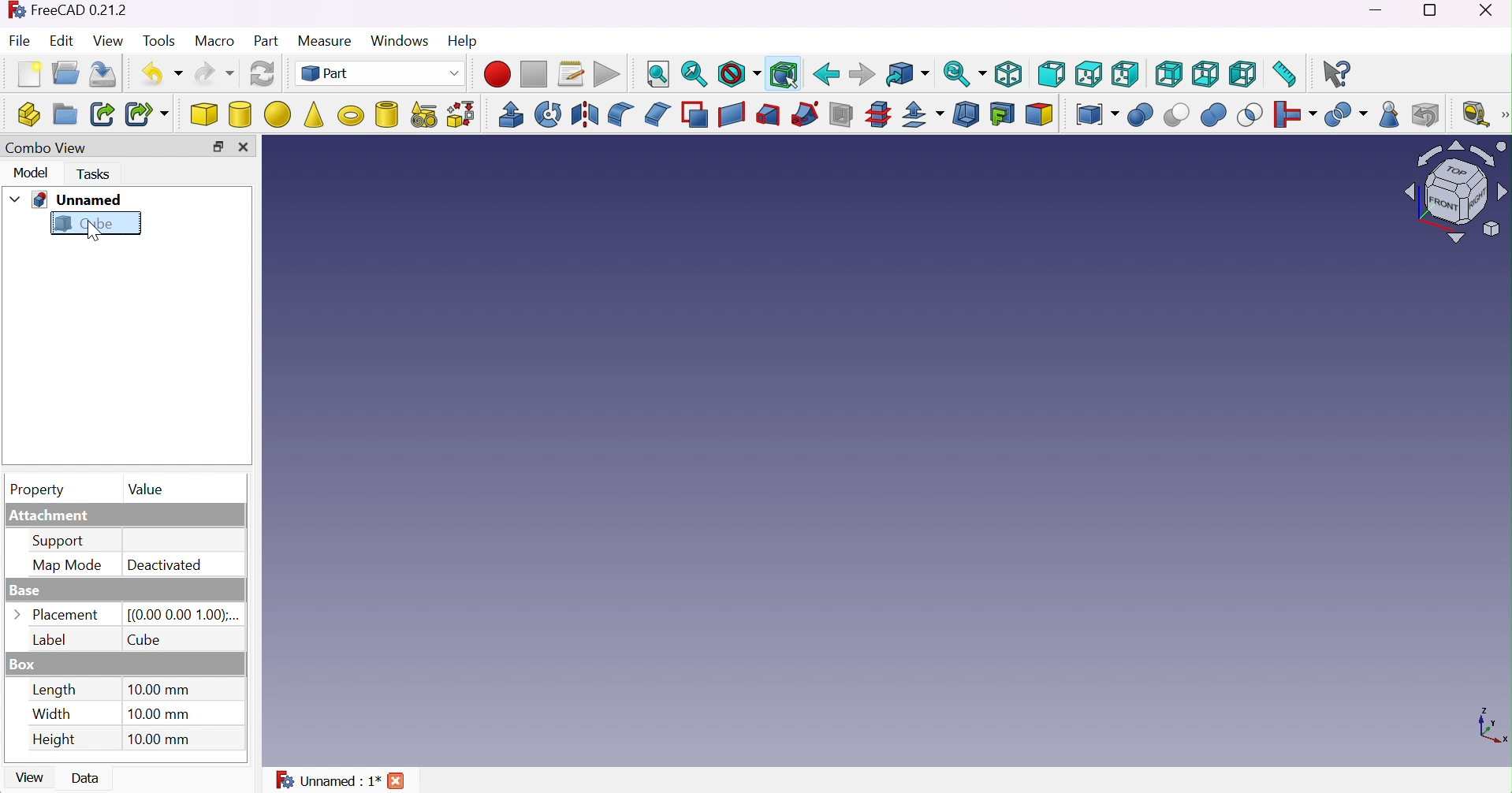  What do you see at coordinates (84, 225) in the screenshot?
I see `Cube` at bounding box center [84, 225].